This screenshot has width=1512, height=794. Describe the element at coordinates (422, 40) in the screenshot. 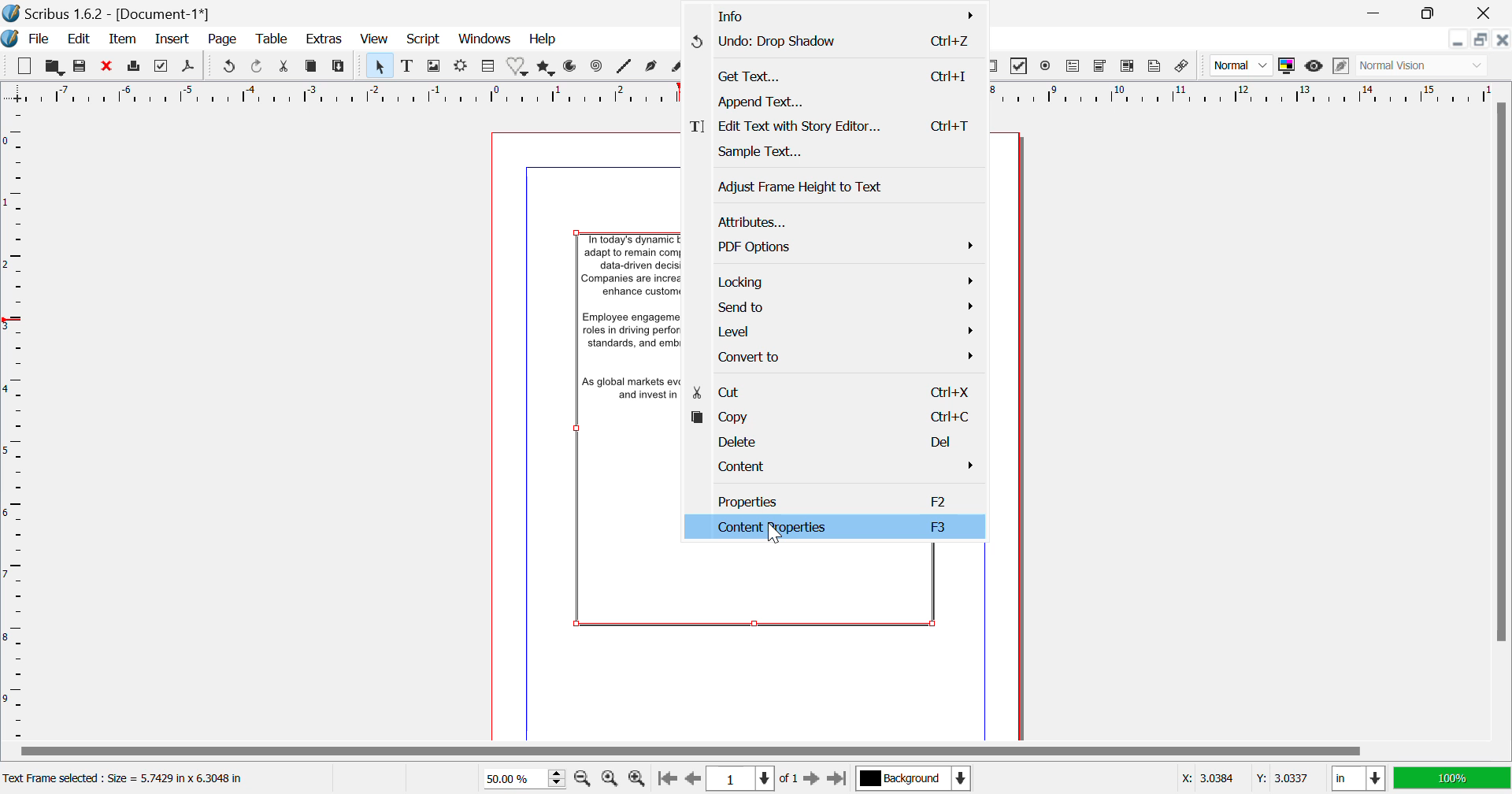

I see `Script` at that location.